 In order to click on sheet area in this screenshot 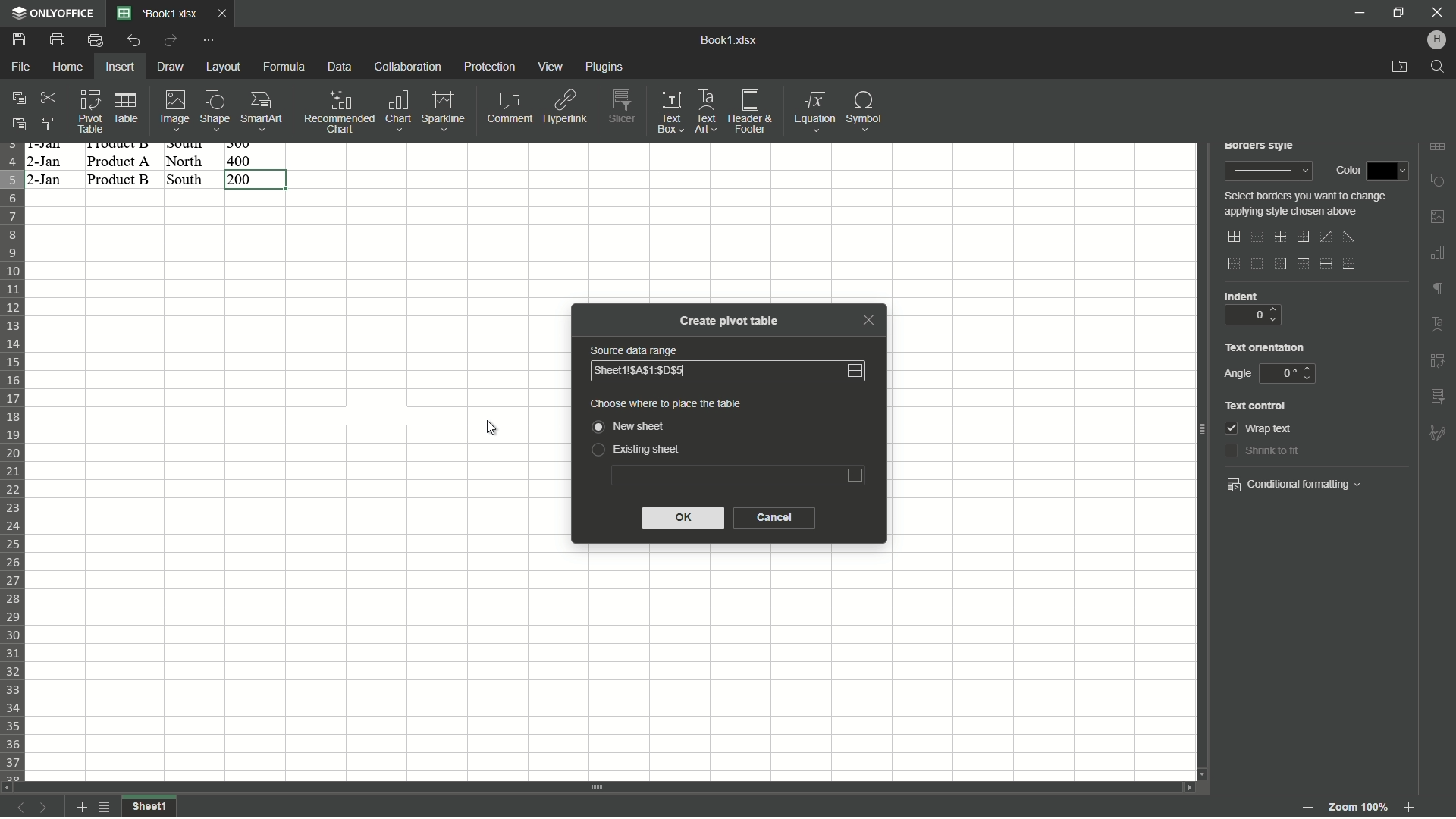, I will do `click(640, 371)`.